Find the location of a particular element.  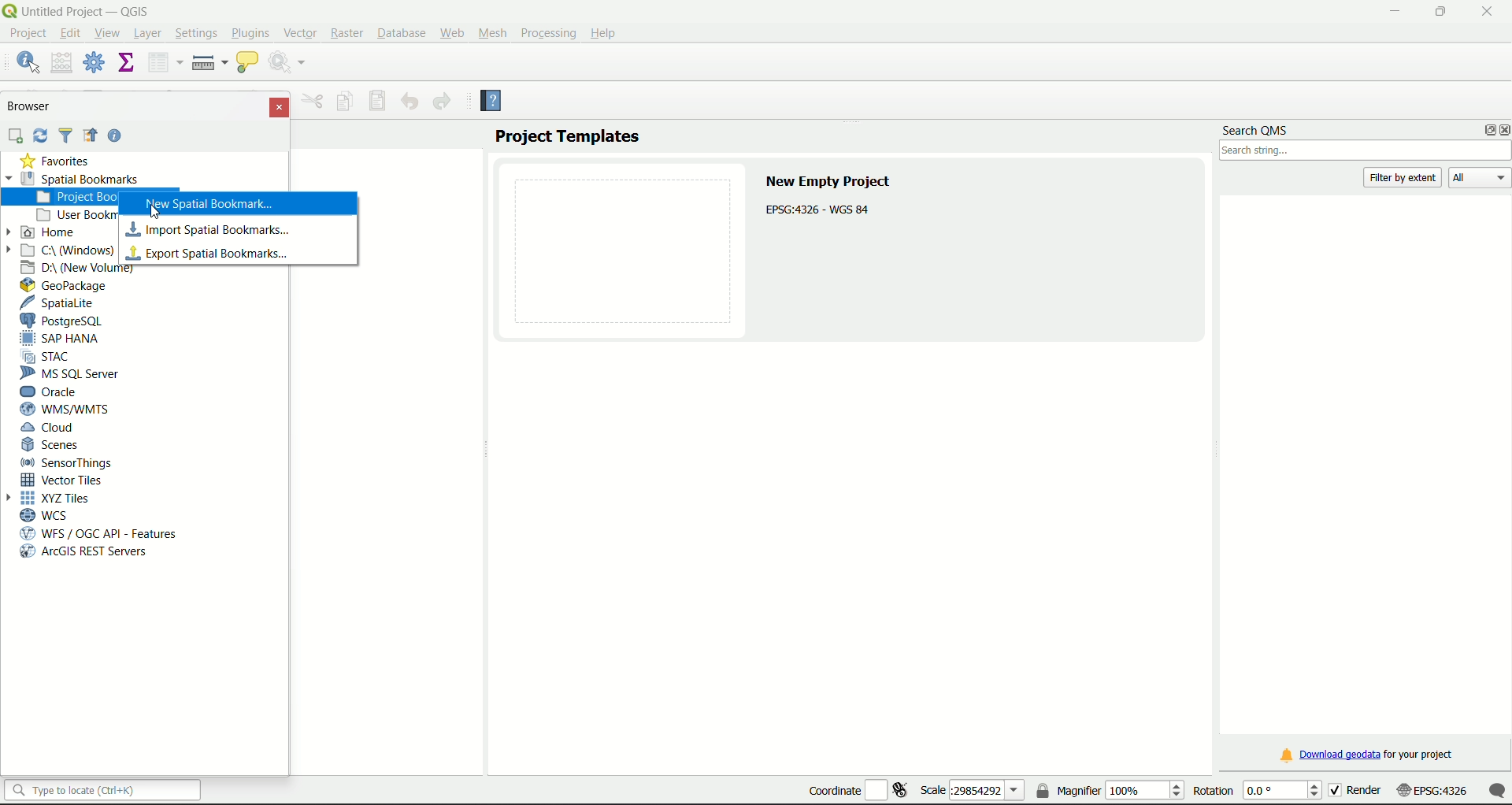

Redo is located at coordinates (442, 102).